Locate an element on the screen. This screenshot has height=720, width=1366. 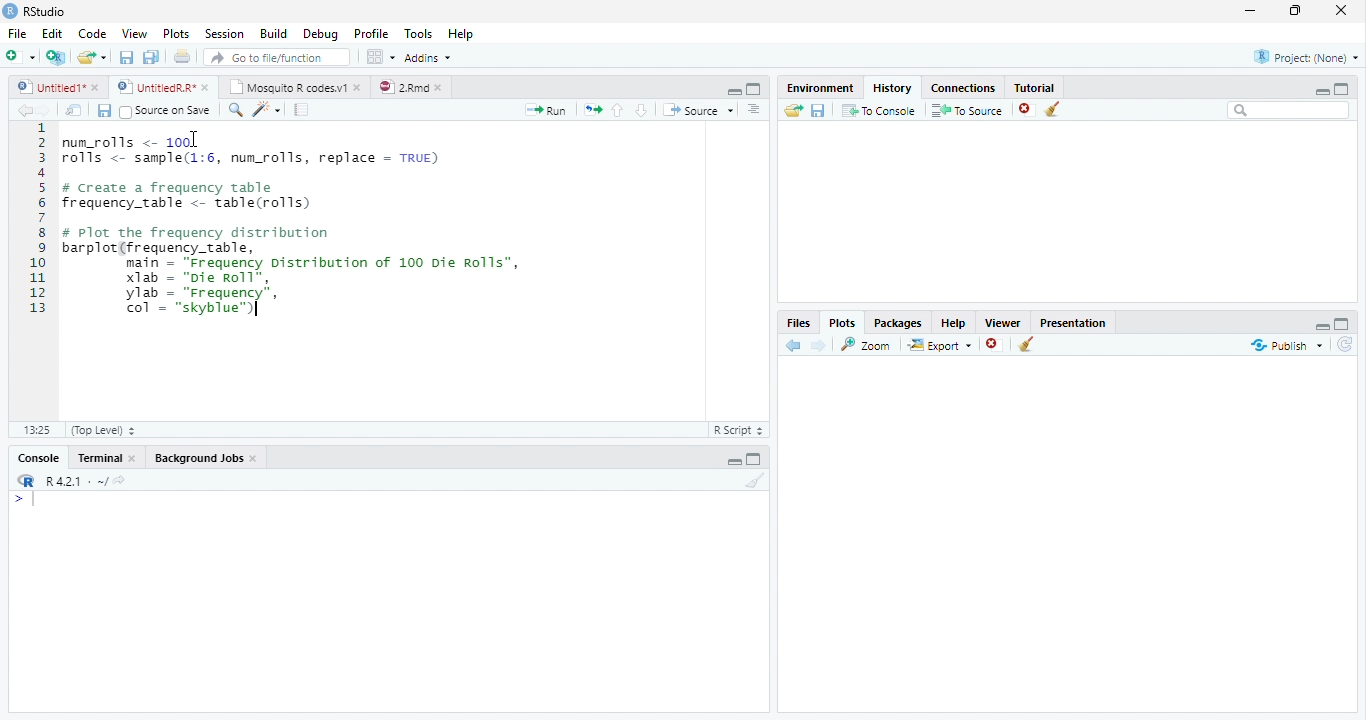
Save is located at coordinates (103, 110).